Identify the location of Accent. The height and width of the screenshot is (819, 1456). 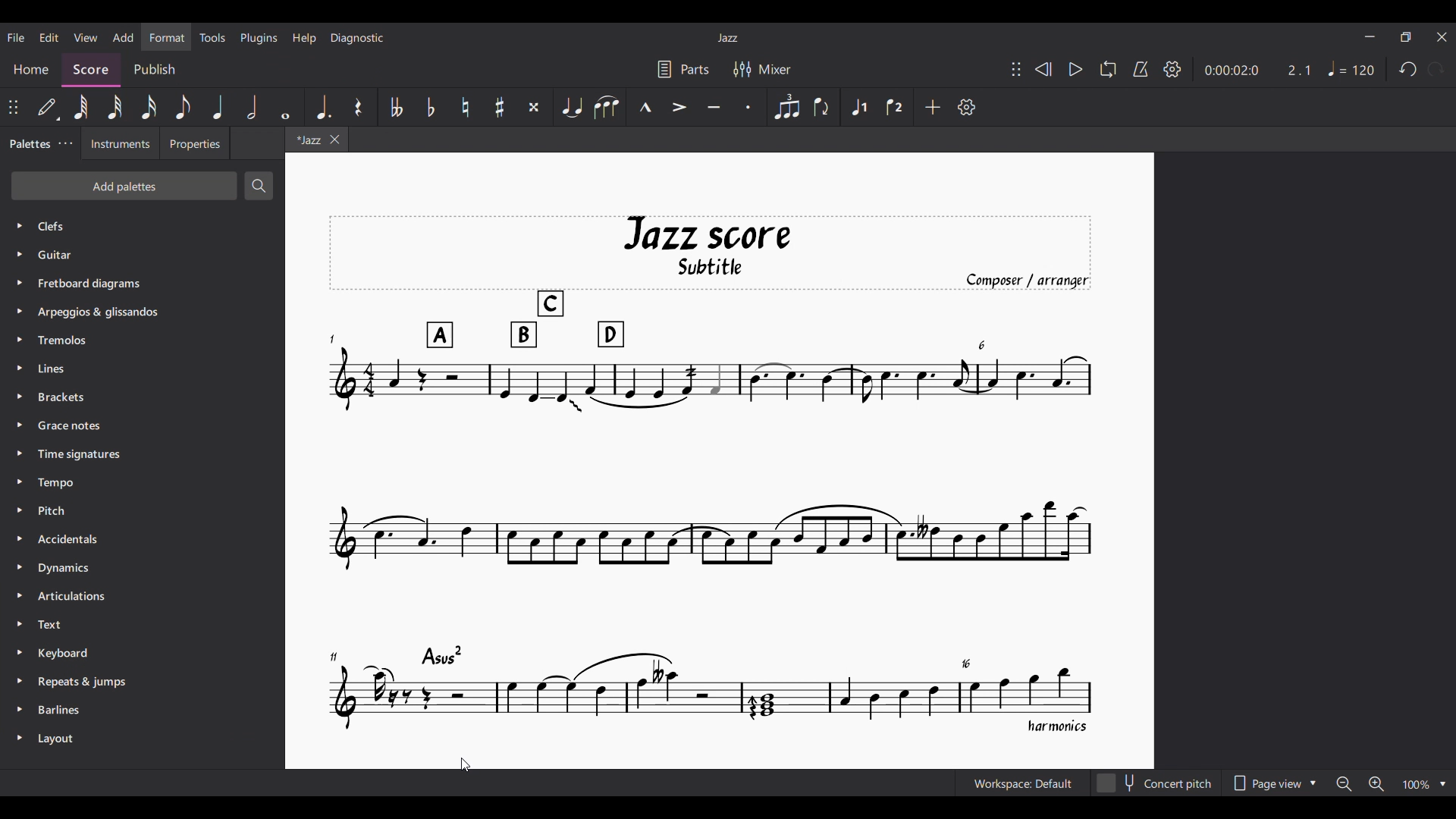
(680, 106).